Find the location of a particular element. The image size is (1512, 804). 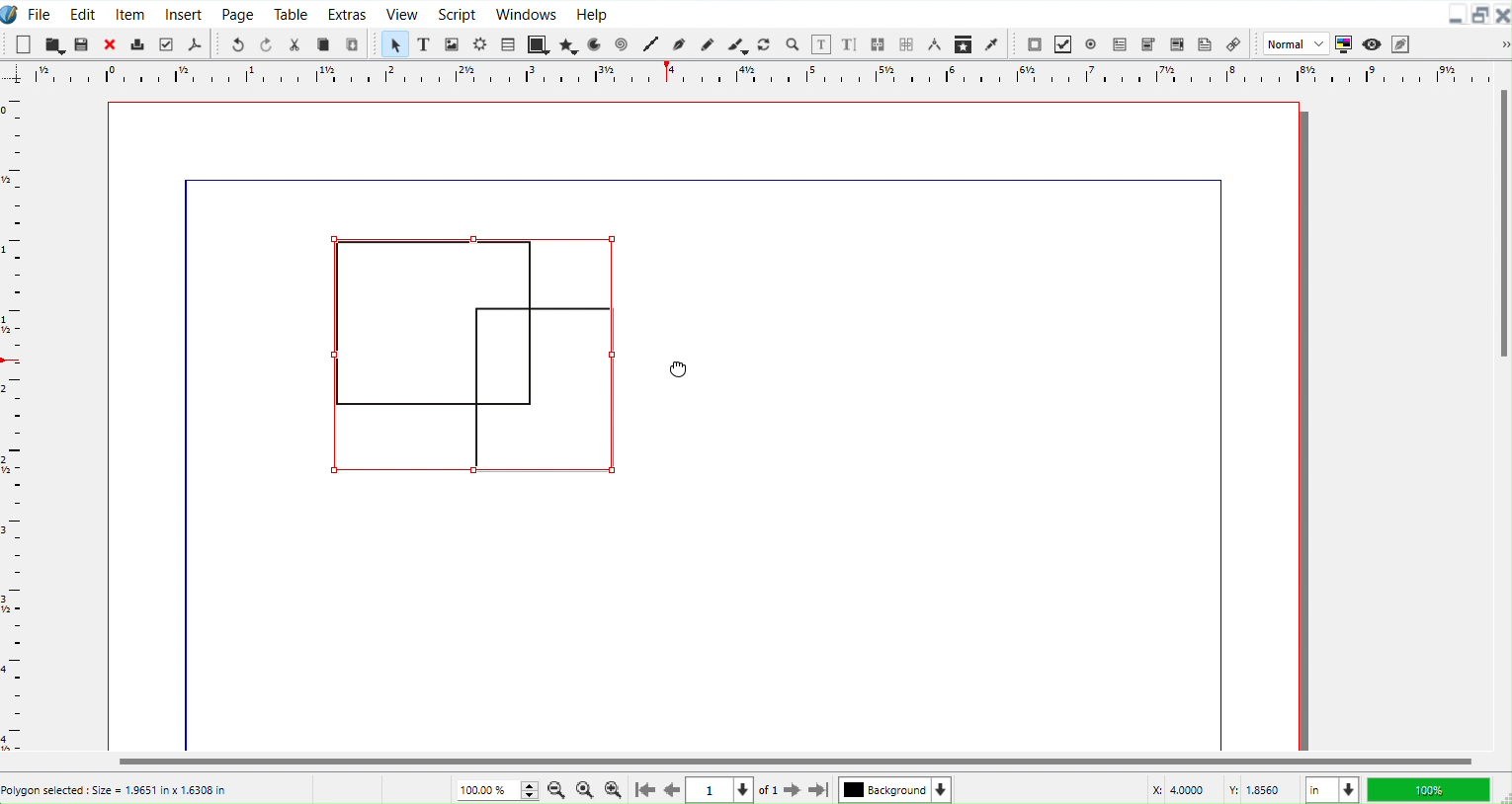

PDF Push Button is located at coordinates (1034, 44).